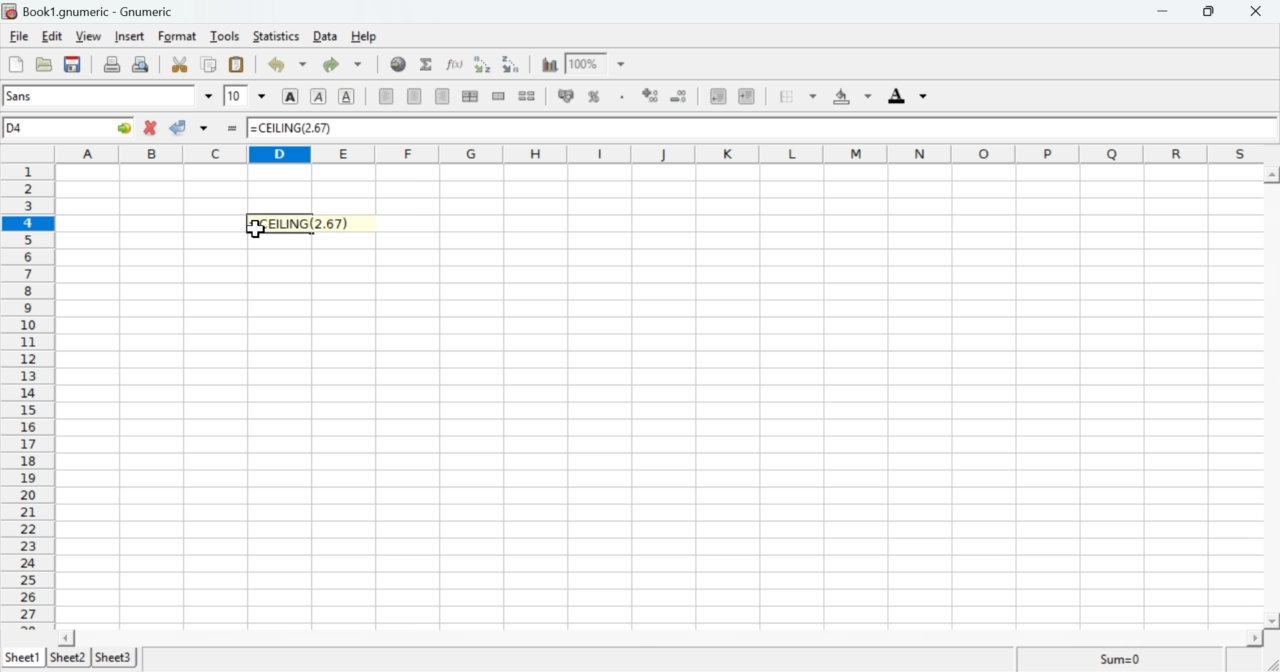  Describe the element at coordinates (45, 65) in the screenshot. I see `Open` at that location.